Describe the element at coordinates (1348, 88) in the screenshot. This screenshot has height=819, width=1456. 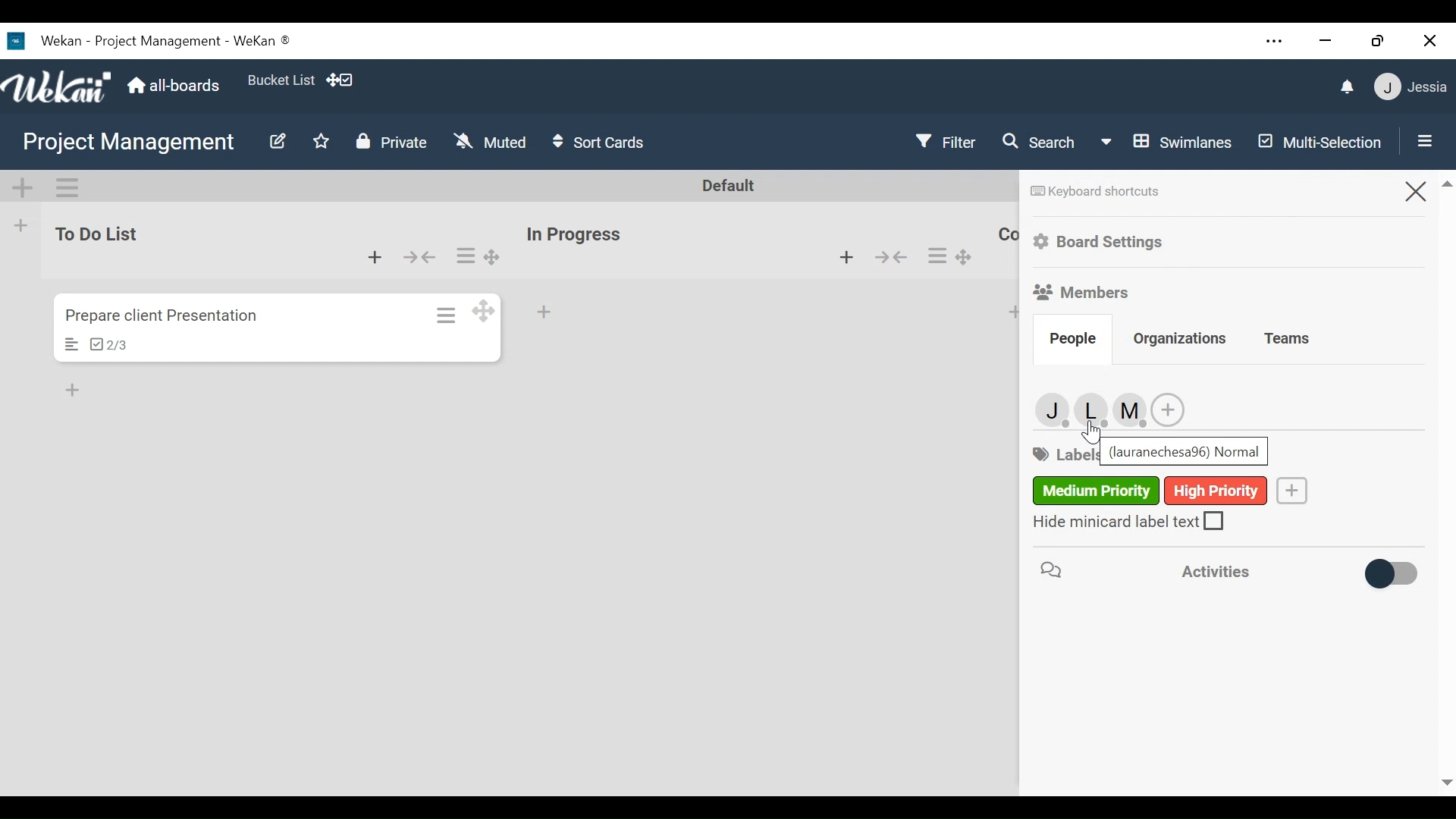
I see `notification` at that location.